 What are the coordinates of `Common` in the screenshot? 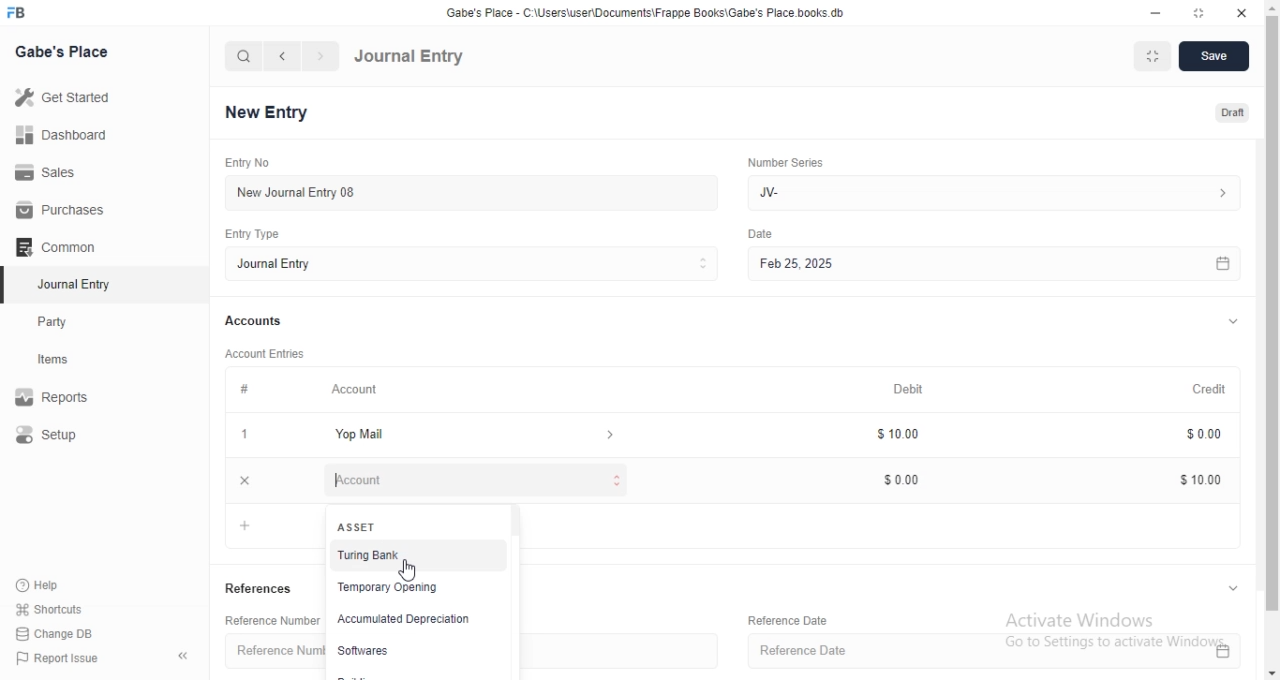 It's located at (60, 247).